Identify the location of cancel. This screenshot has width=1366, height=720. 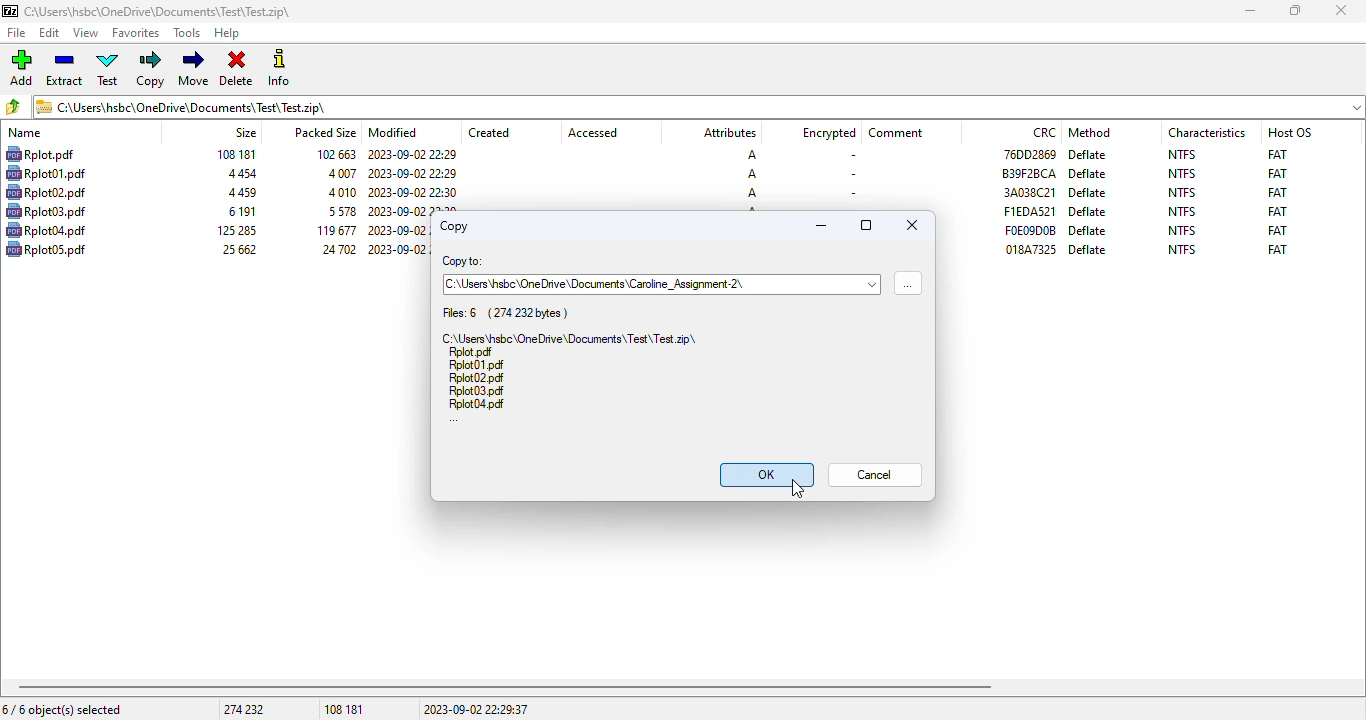
(875, 475).